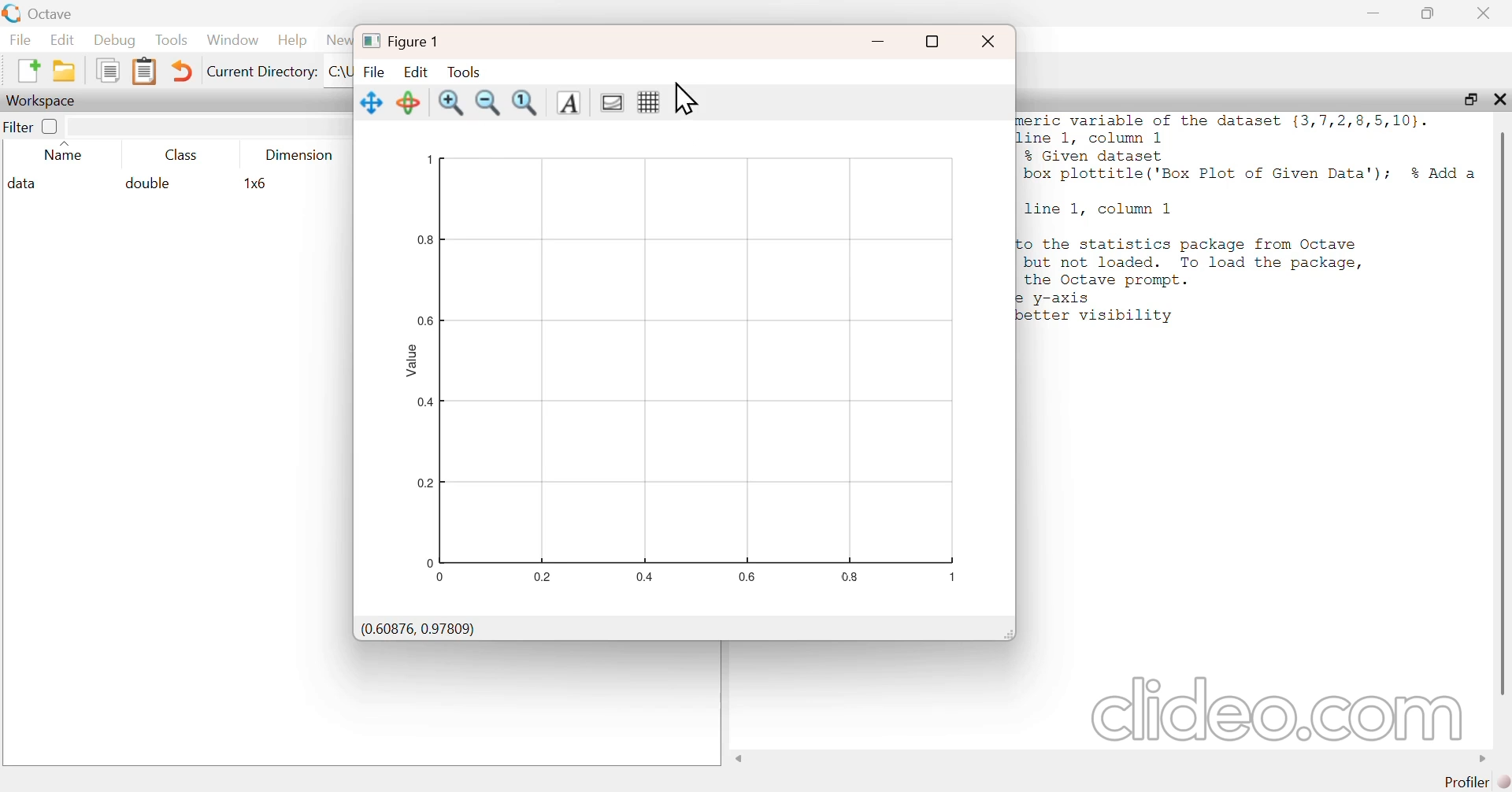  I want to click on close, so click(1488, 13).